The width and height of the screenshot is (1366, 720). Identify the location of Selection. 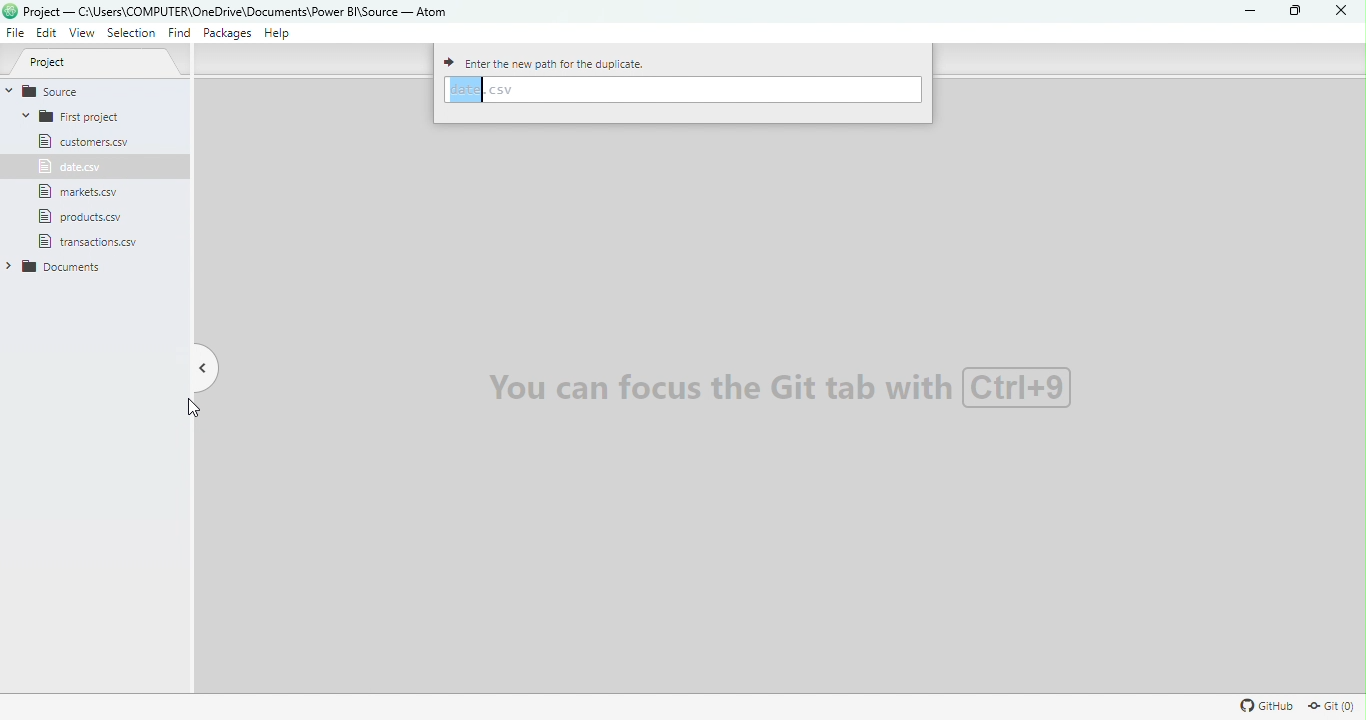
(133, 34).